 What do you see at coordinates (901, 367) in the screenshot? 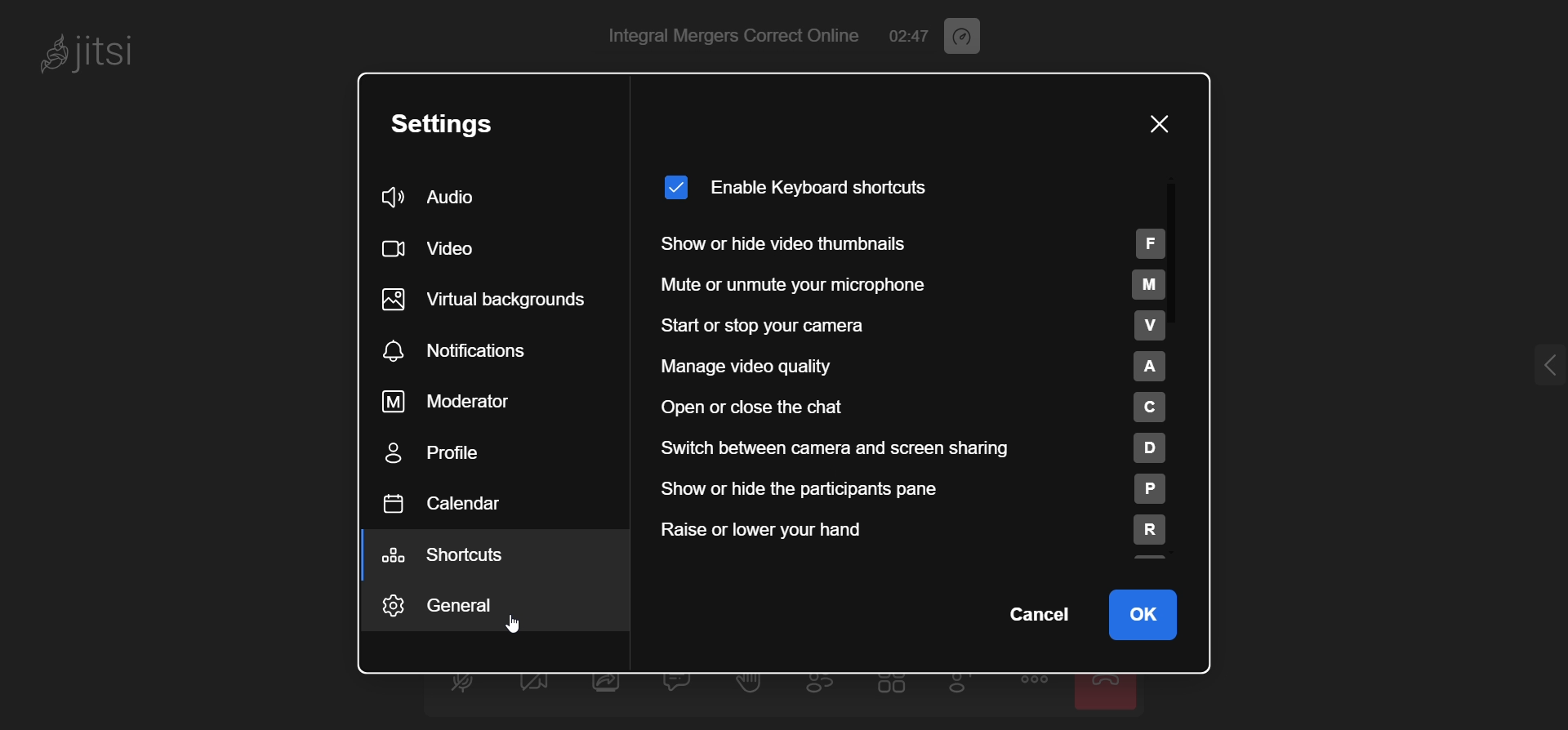
I see `manage video quality` at bounding box center [901, 367].